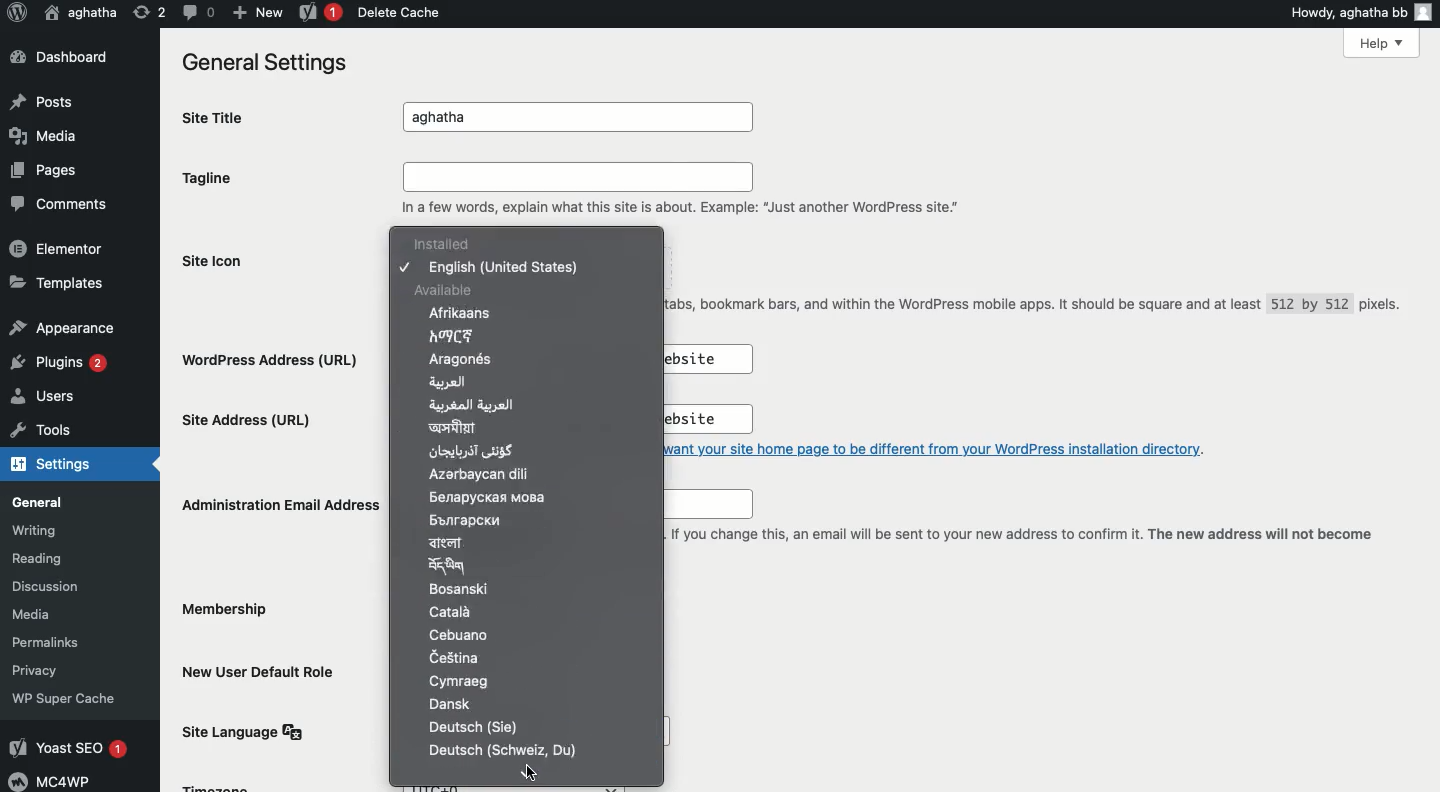  What do you see at coordinates (251, 423) in the screenshot?
I see `Site address url` at bounding box center [251, 423].